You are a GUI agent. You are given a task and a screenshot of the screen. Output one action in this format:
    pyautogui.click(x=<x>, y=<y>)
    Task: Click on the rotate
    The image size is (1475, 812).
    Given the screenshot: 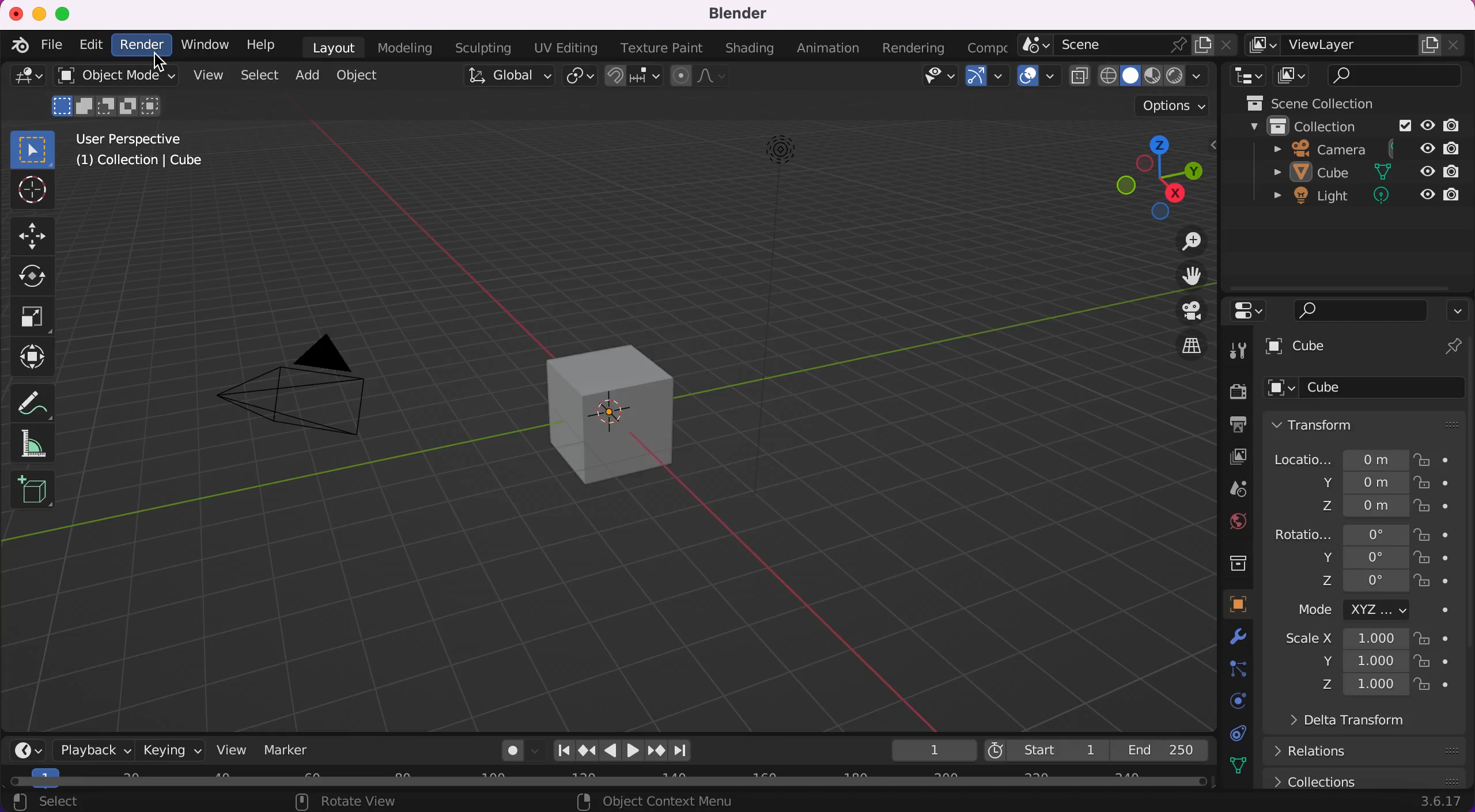 What is the action you would take?
    pyautogui.click(x=38, y=276)
    